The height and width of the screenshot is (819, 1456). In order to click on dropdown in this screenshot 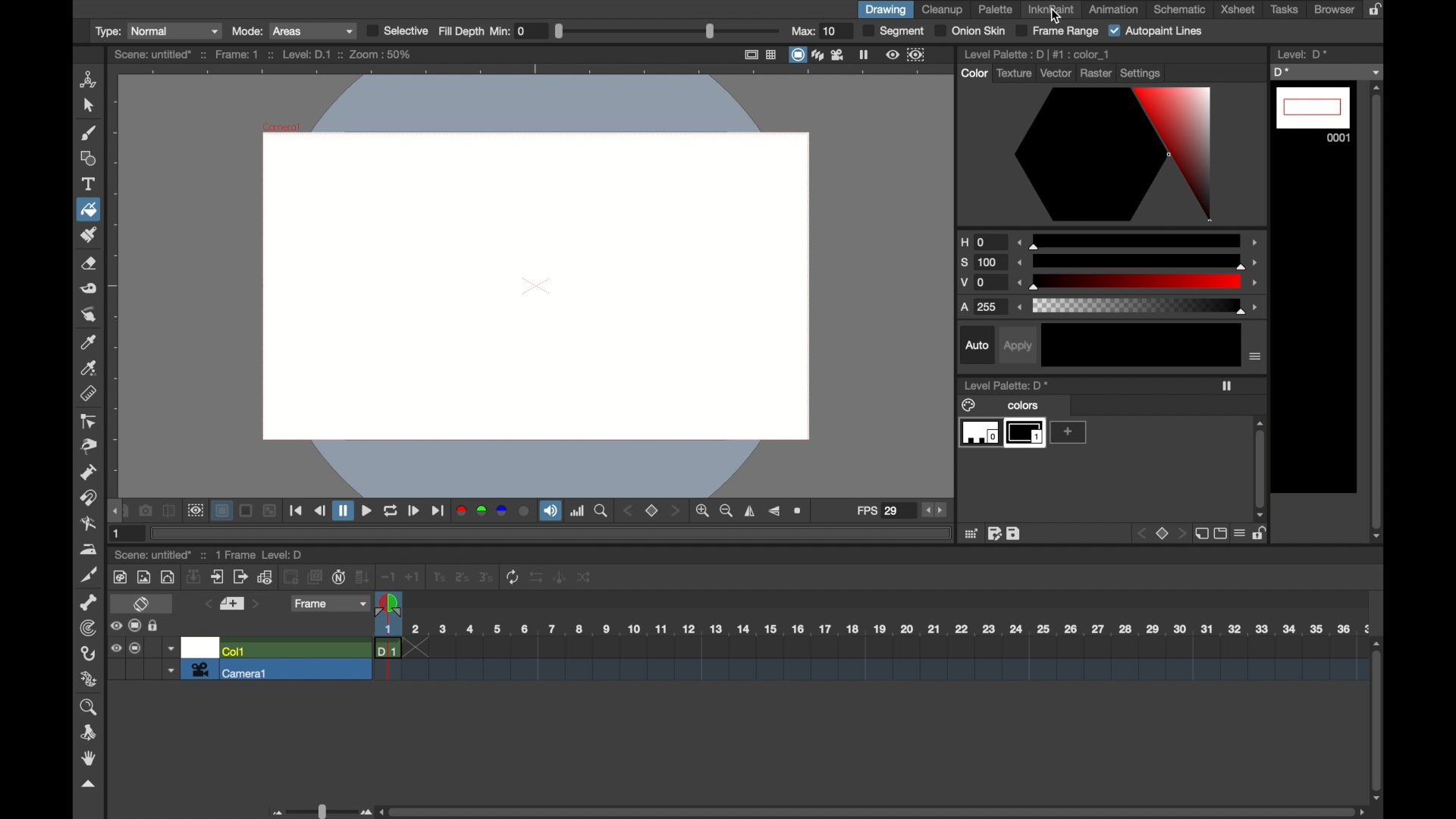, I will do `click(170, 648)`.